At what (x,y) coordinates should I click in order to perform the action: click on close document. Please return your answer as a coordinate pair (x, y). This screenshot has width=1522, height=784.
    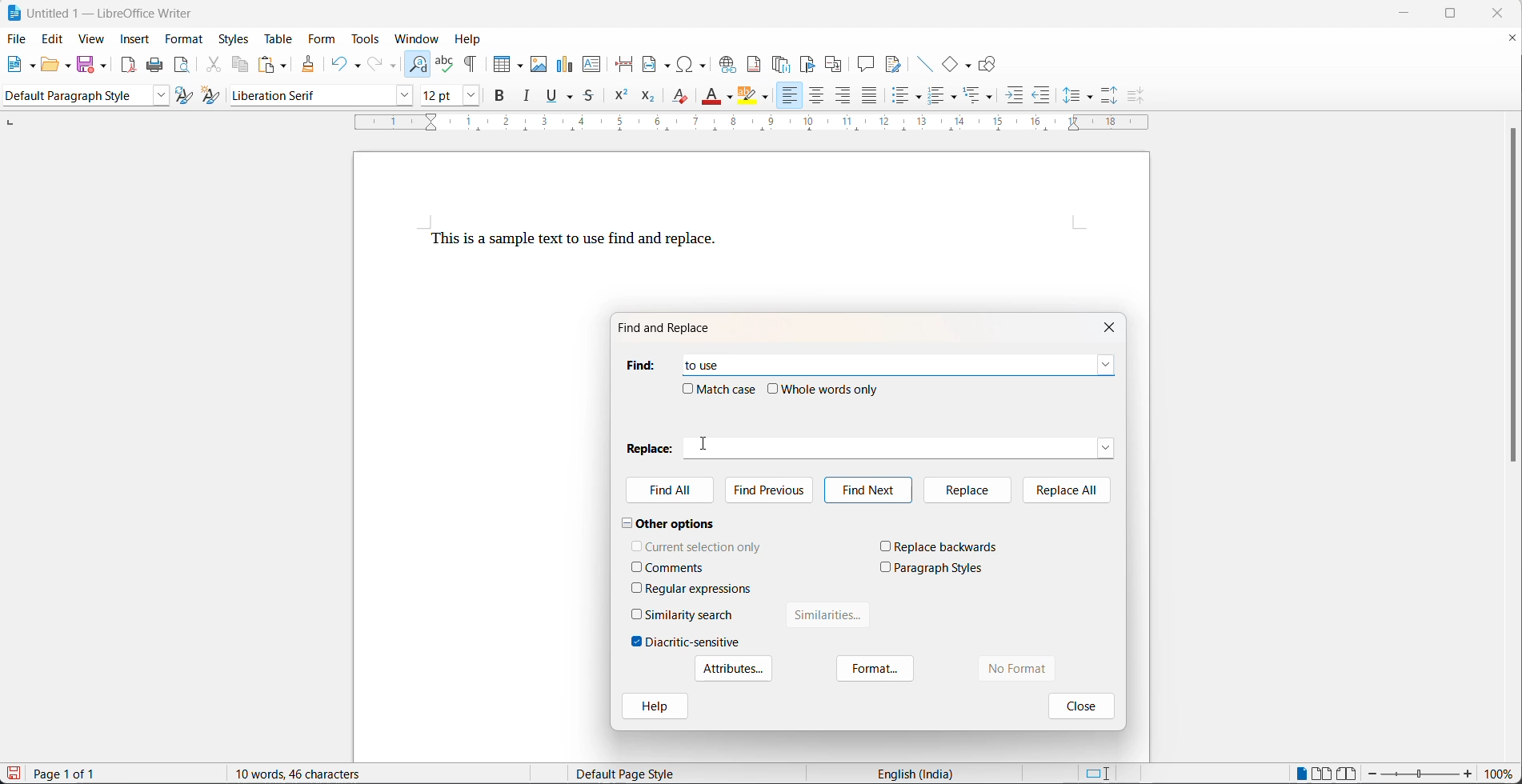
    Looking at the image, I should click on (1512, 41).